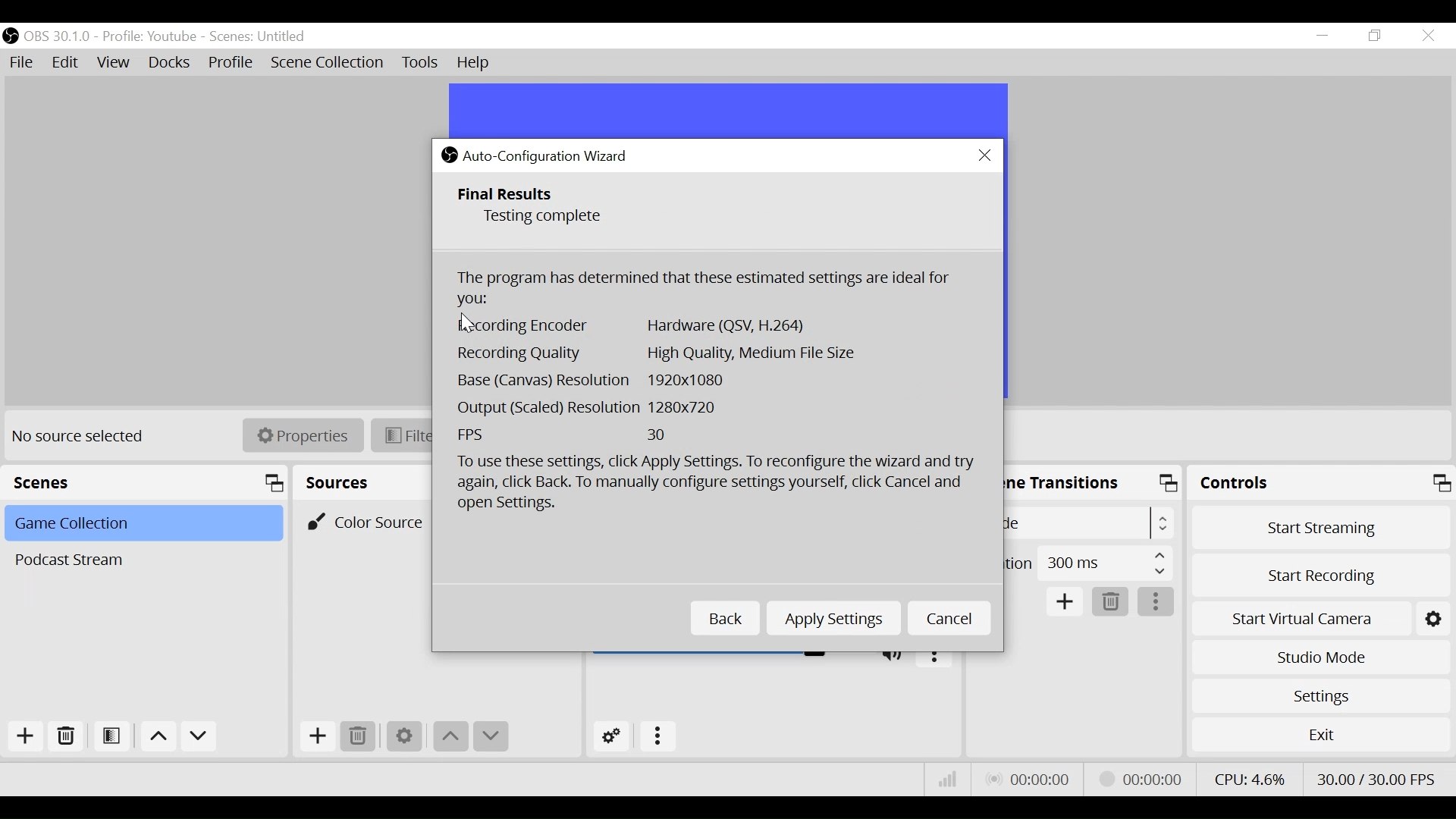 This screenshot has width=1456, height=819. What do you see at coordinates (1319, 660) in the screenshot?
I see `Studio Mode` at bounding box center [1319, 660].